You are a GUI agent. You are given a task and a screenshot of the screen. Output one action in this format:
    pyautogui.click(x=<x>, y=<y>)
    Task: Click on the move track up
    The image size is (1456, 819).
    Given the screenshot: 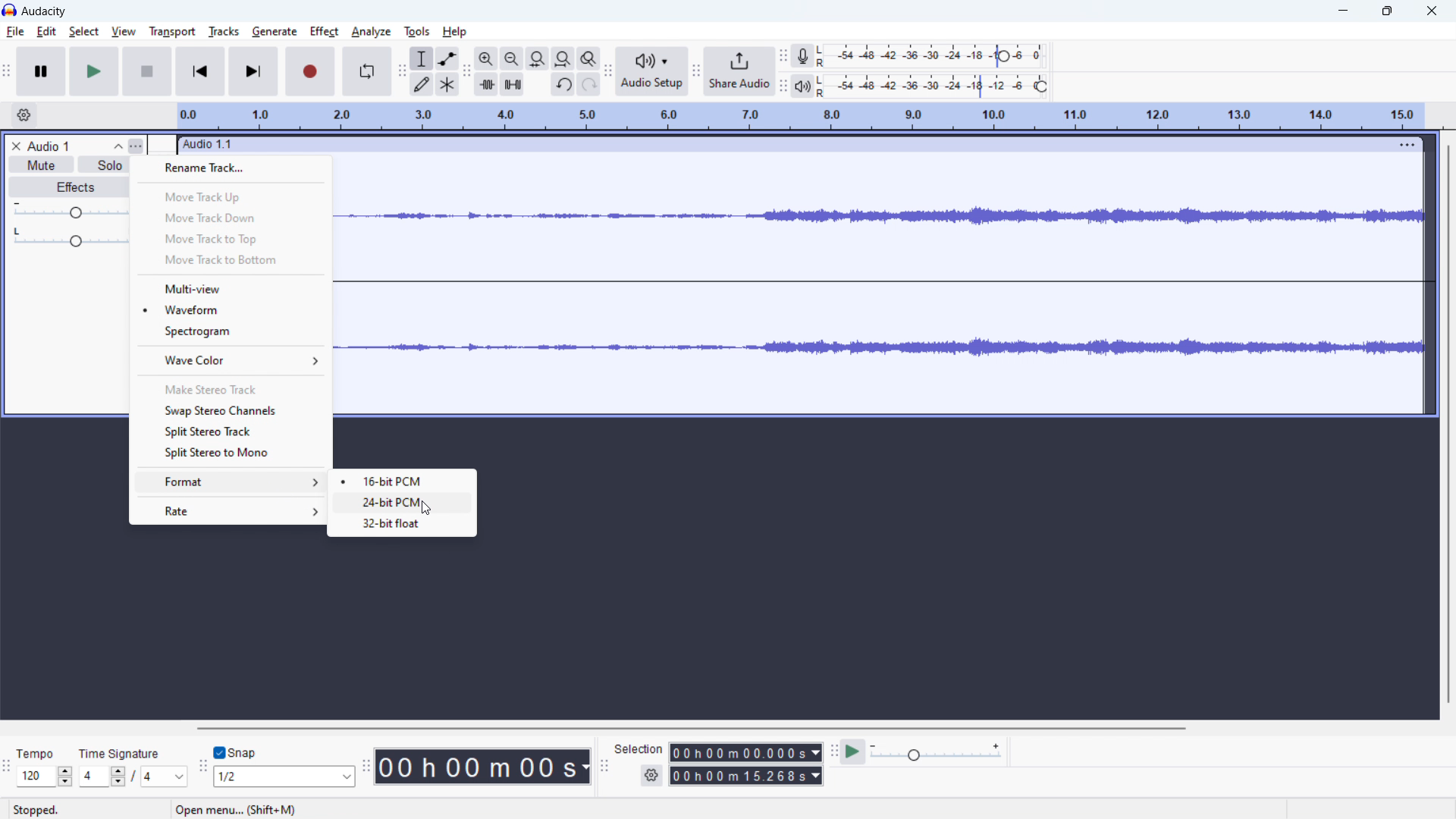 What is the action you would take?
    pyautogui.click(x=231, y=196)
    